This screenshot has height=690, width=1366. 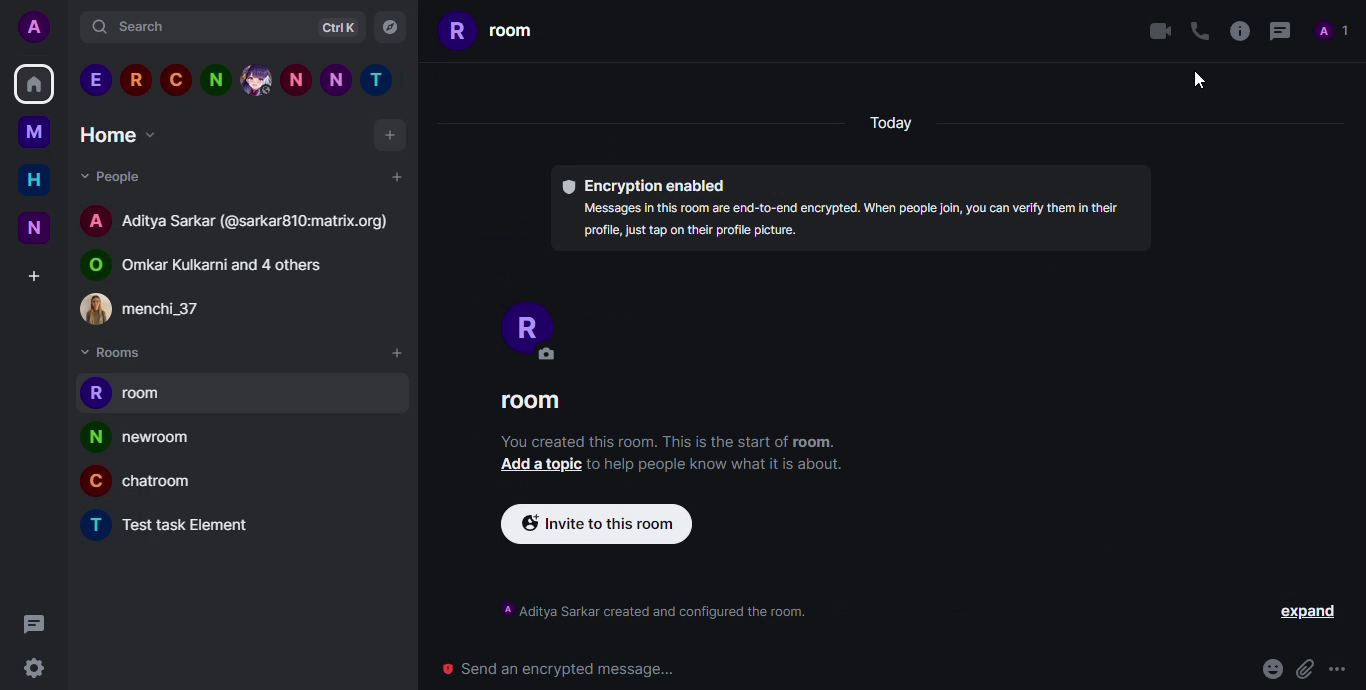 What do you see at coordinates (135, 79) in the screenshot?
I see `people 2` at bounding box center [135, 79].